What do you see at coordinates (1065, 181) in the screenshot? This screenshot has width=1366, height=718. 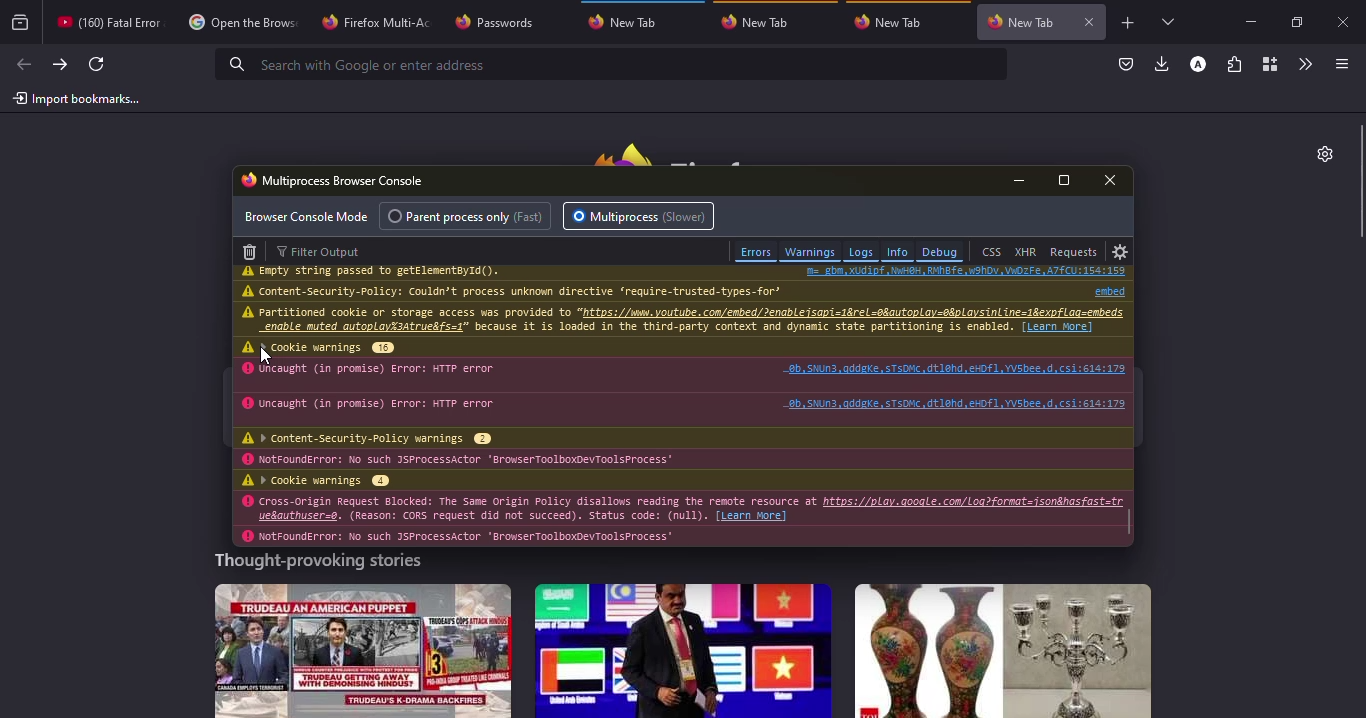 I see `maximize` at bounding box center [1065, 181].